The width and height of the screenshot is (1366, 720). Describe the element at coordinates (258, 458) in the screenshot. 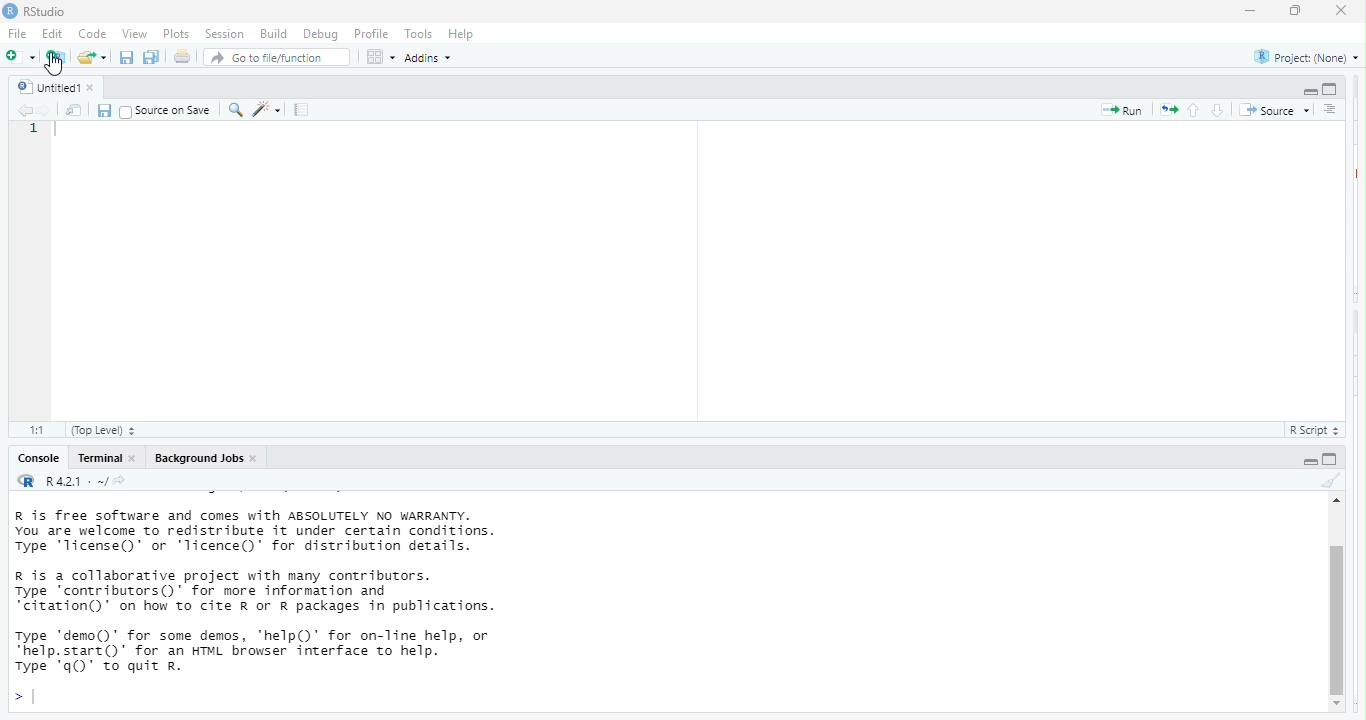

I see `close` at that location.